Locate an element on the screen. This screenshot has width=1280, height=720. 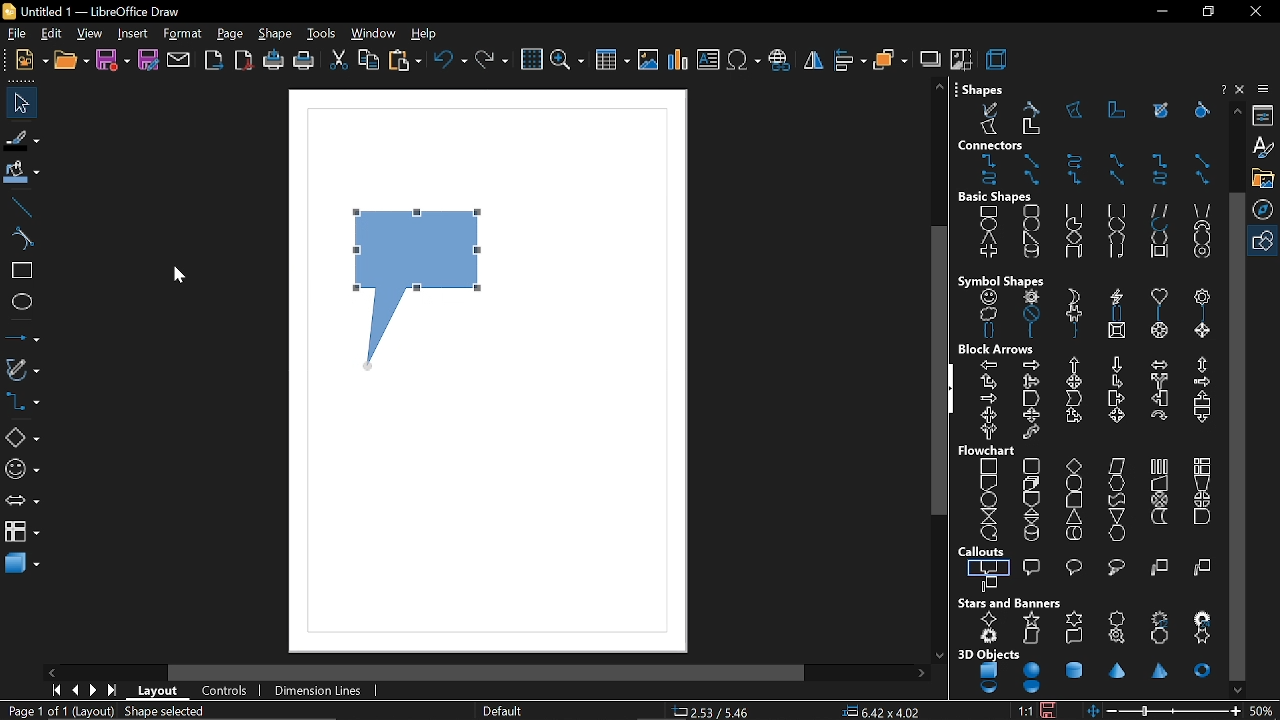
format is located at coordinates (180, 33).